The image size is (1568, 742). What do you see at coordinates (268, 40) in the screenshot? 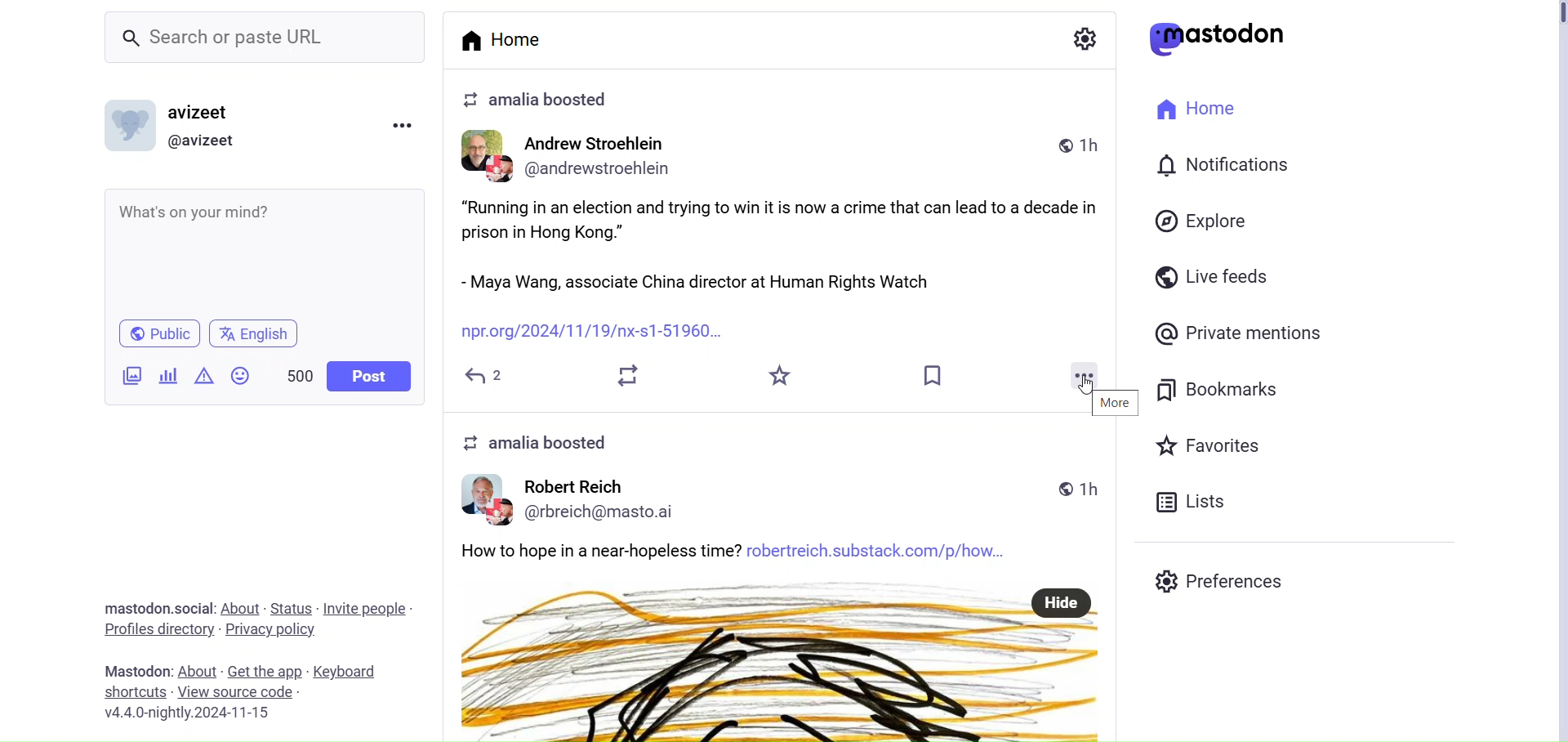
I see `Search Bar` at bounding box center [268, 40].